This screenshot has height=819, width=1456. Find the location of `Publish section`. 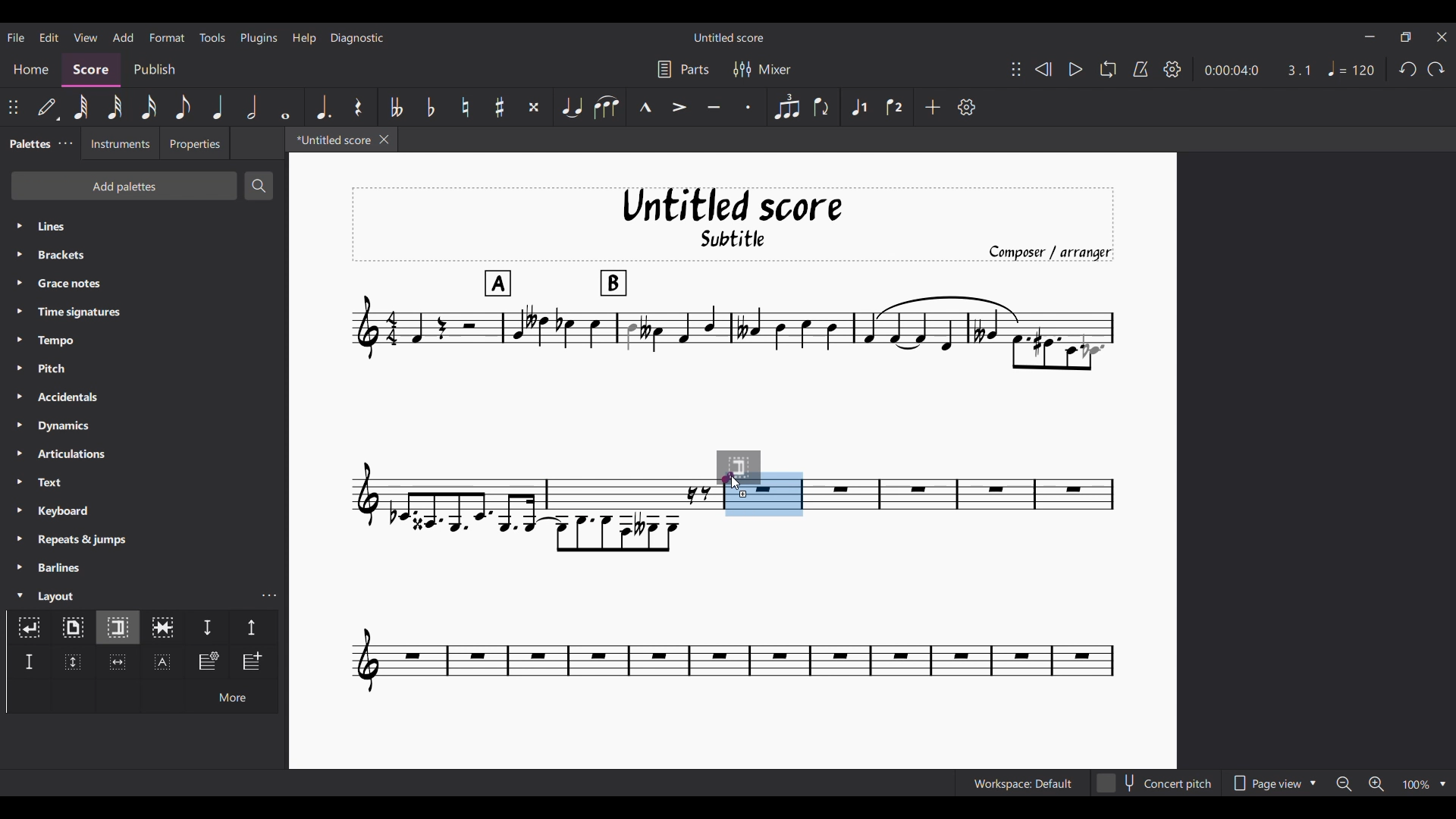

Publish section is located at coordinates (154, 70).